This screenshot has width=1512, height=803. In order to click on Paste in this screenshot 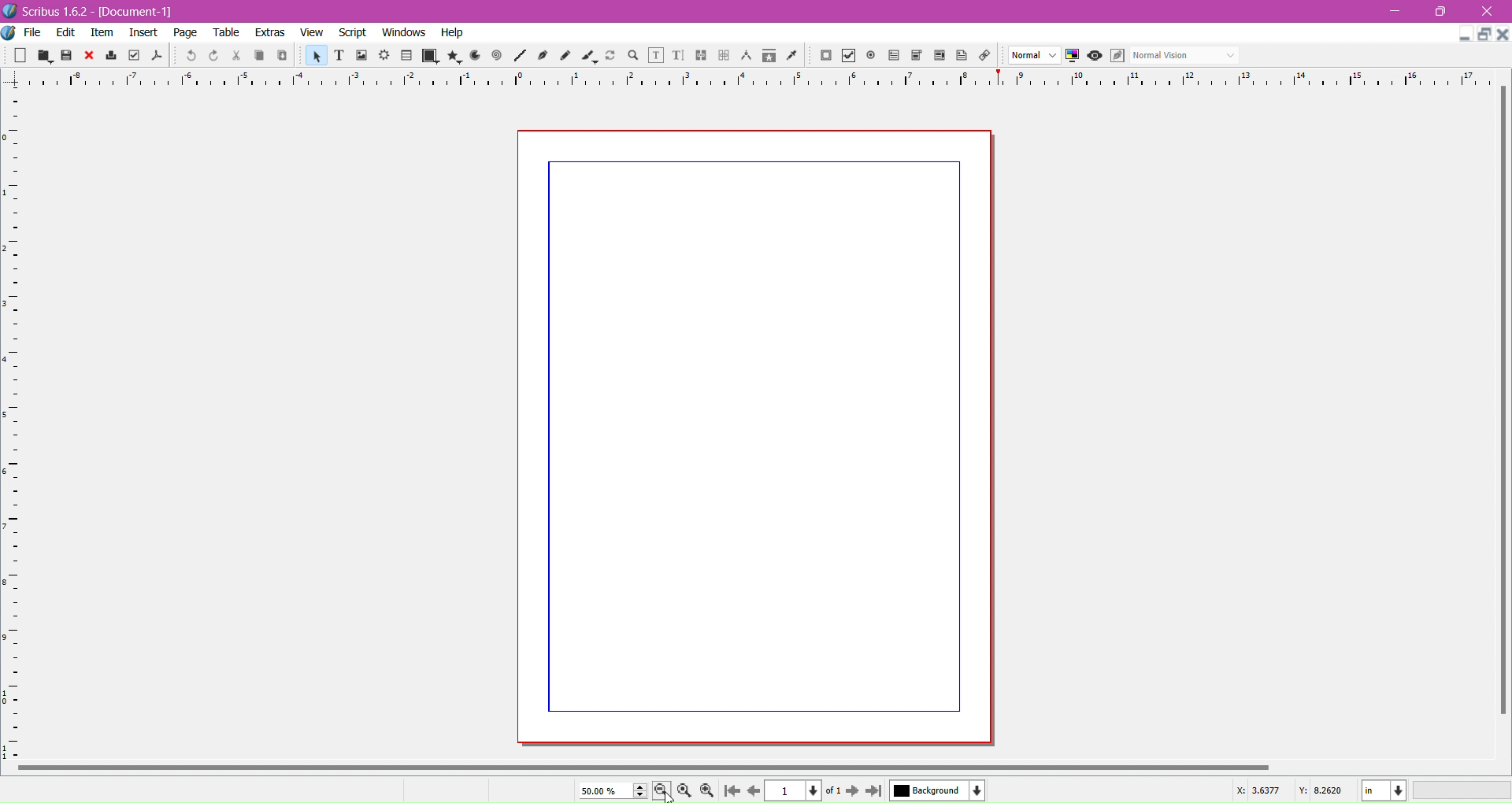, I will do `click(283, 57)`.